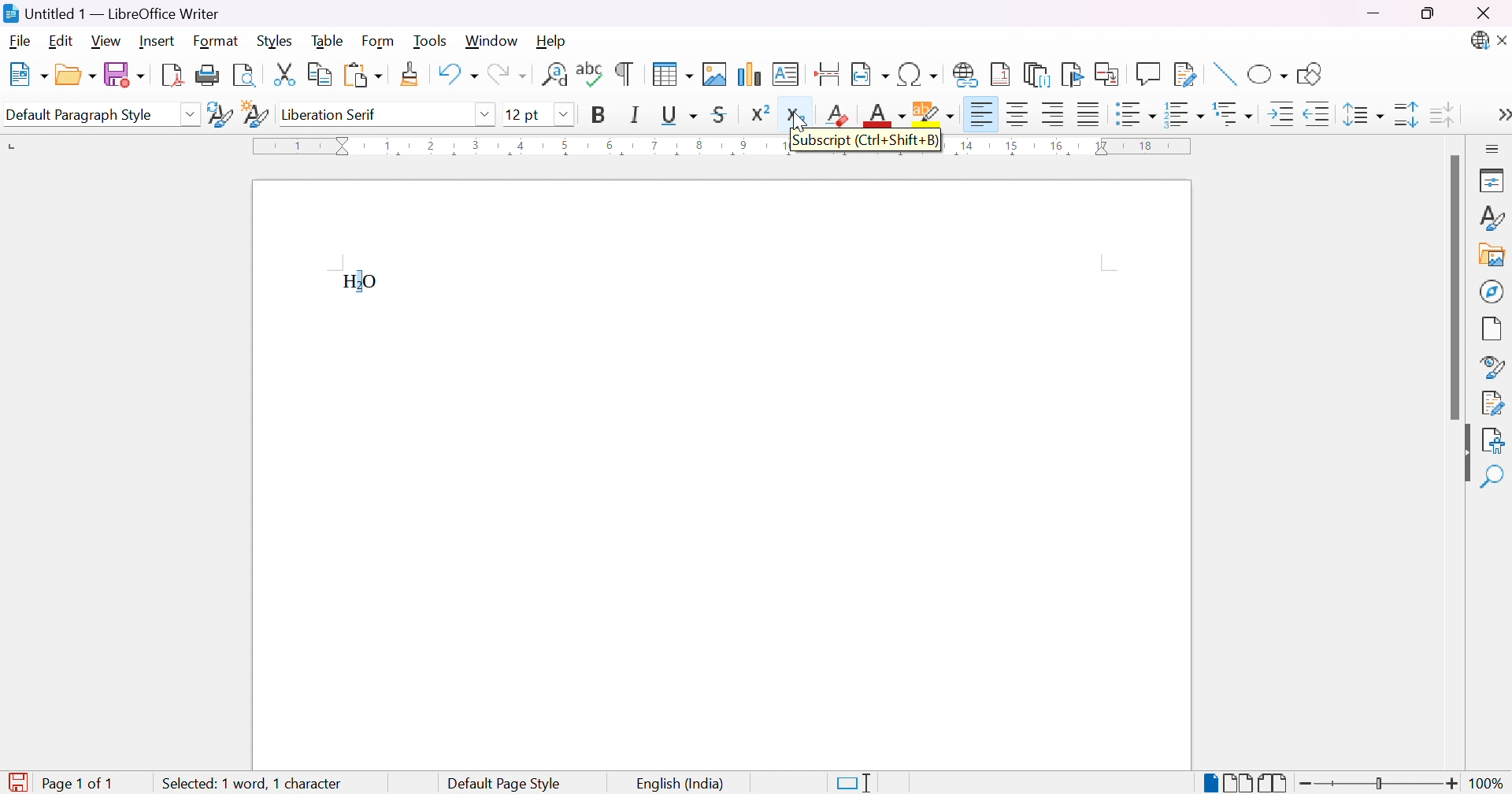  I want to click on View, so click(108, 40).